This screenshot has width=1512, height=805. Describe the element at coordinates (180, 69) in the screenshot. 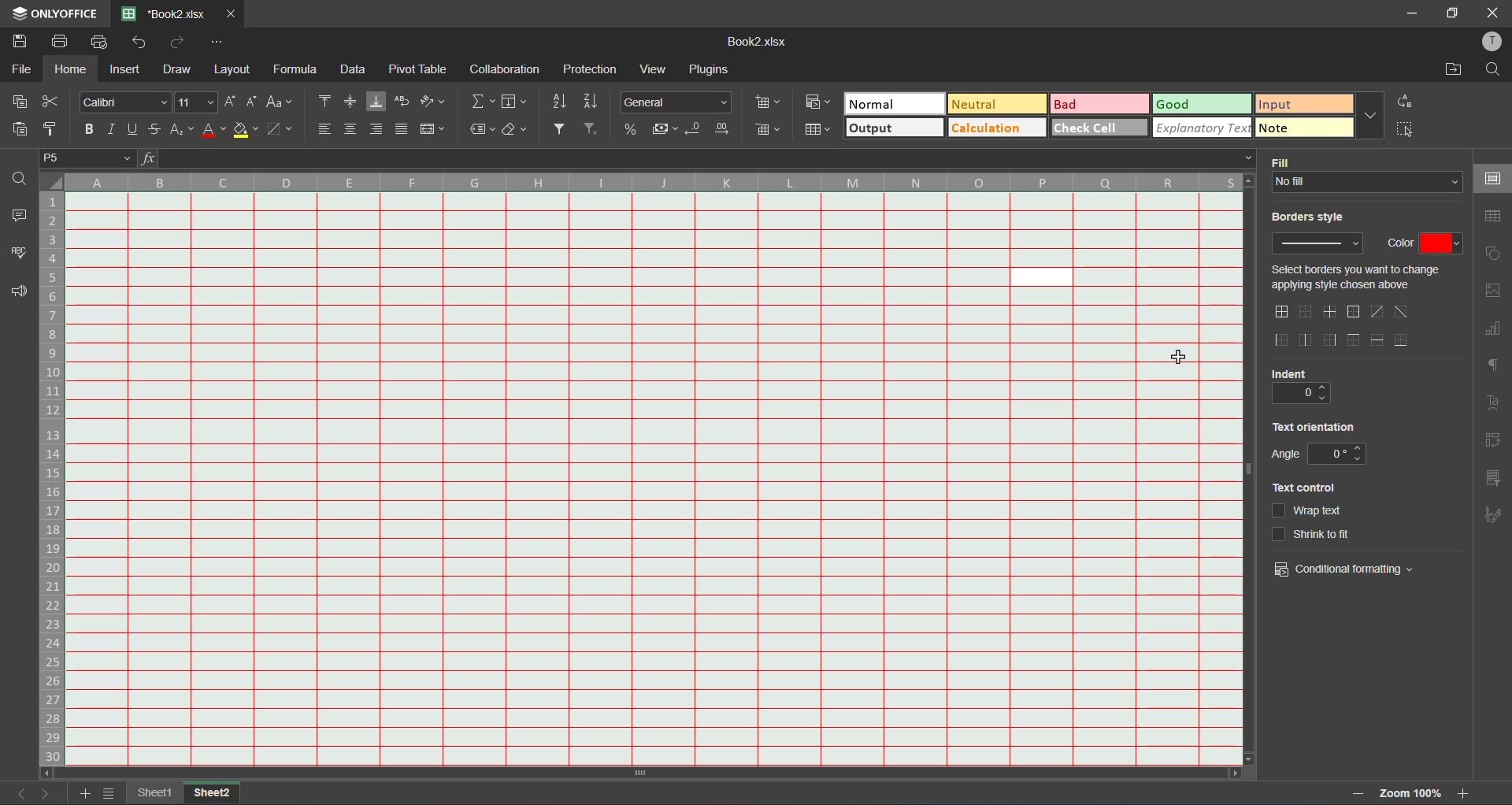

I see `draw` at that location.